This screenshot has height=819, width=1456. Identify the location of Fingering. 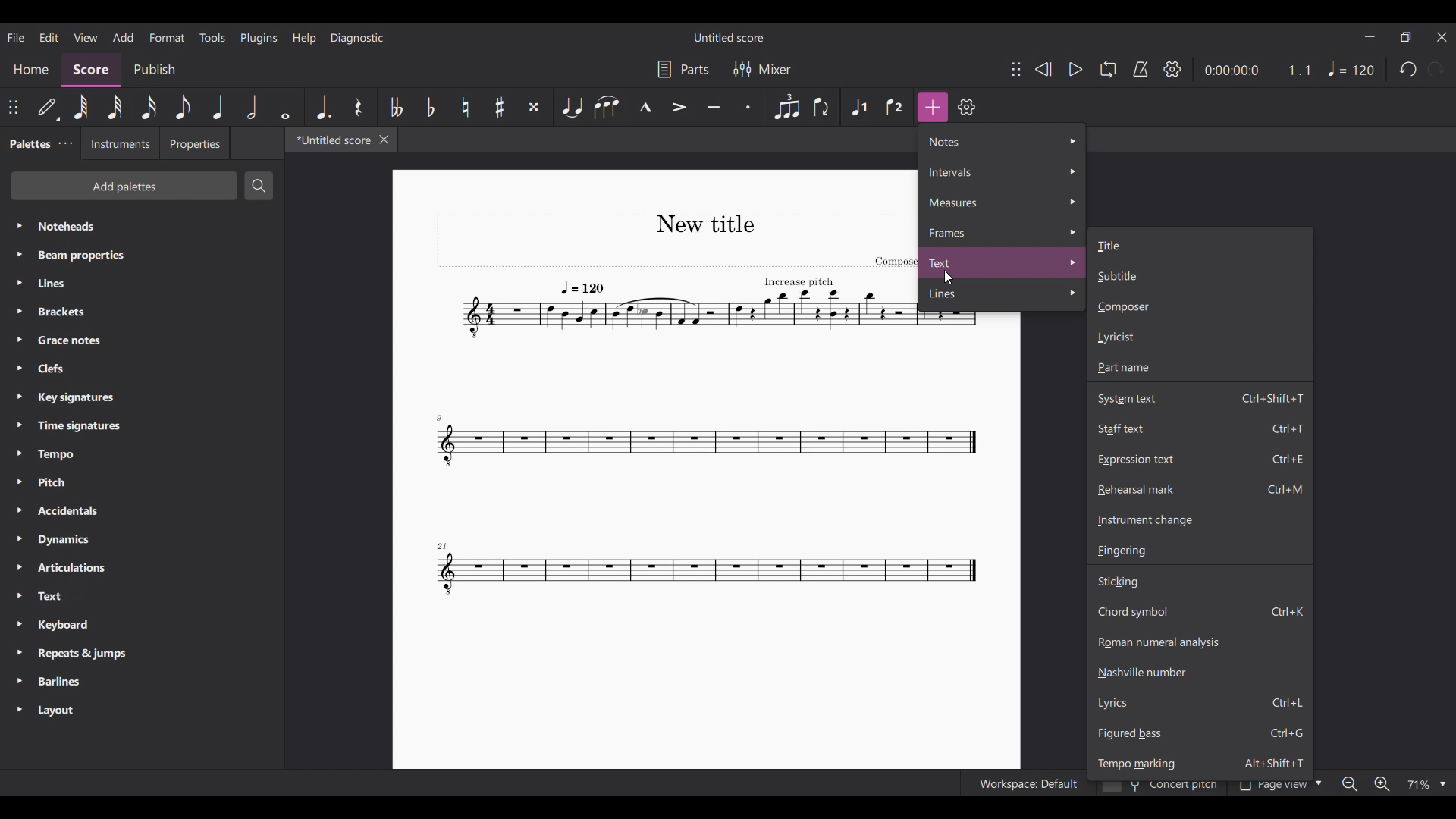
(1200, 551).